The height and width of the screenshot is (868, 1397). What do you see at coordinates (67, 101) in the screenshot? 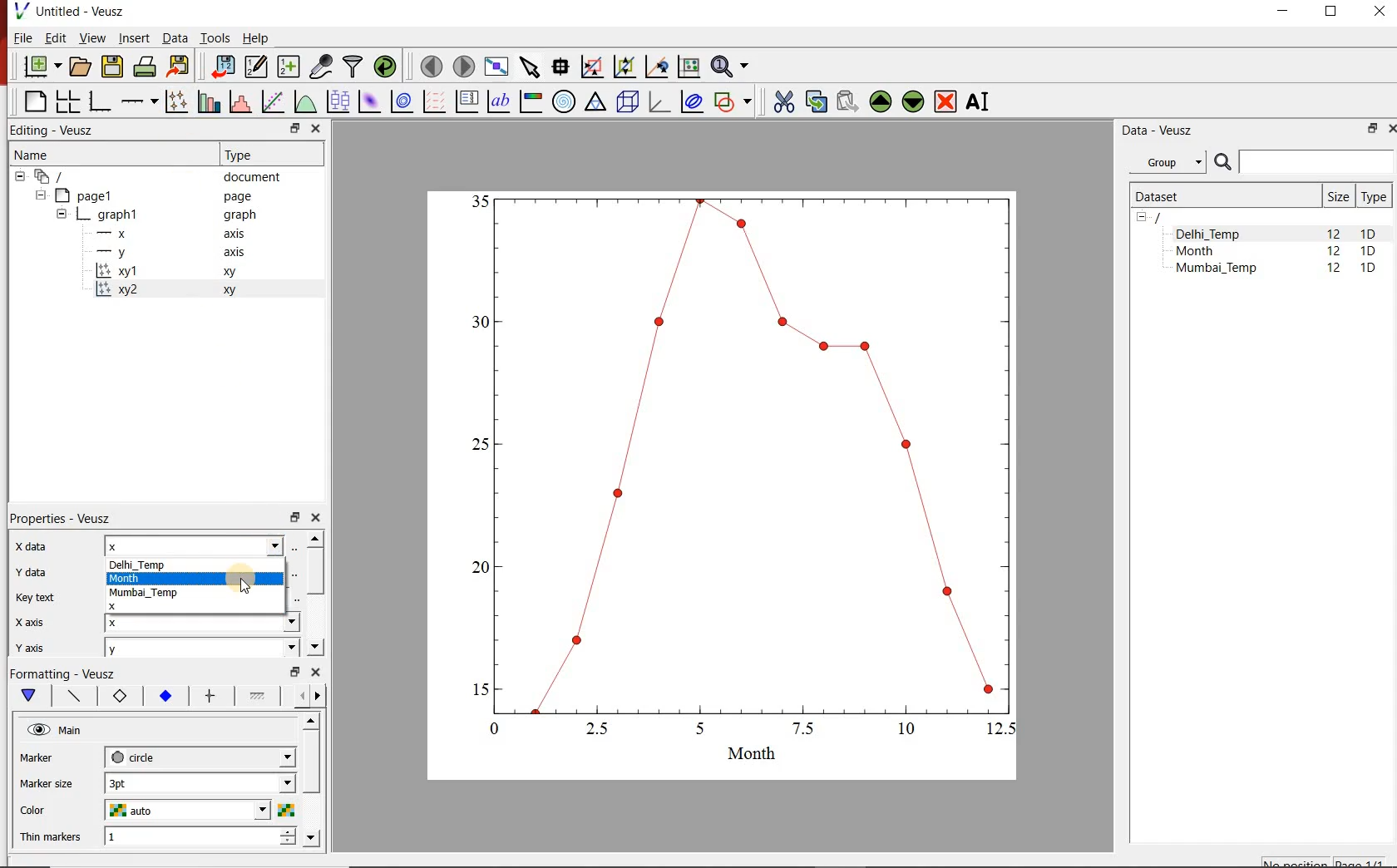
I see `arrange graphs in a grid` at bounding box center [67, 101].